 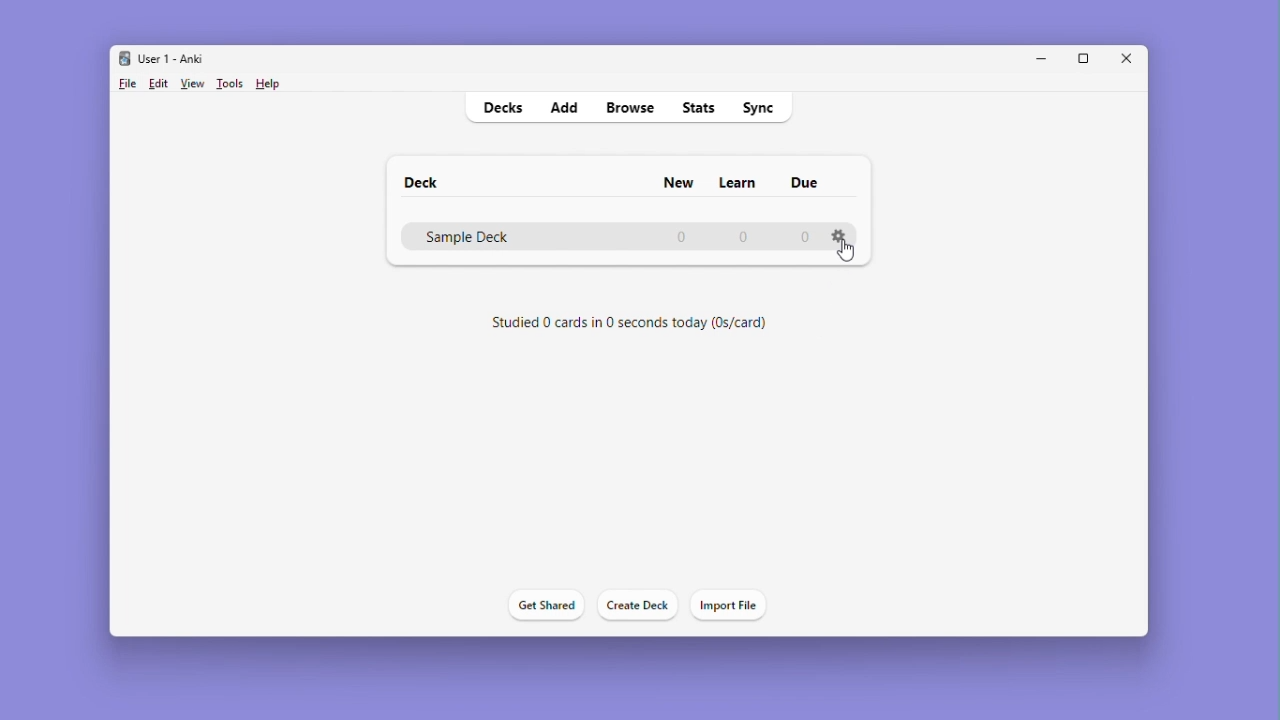 What do you see at coordinates (701, 107) in the screenshot?
I see `Stats` at bounding box center [701, 107].